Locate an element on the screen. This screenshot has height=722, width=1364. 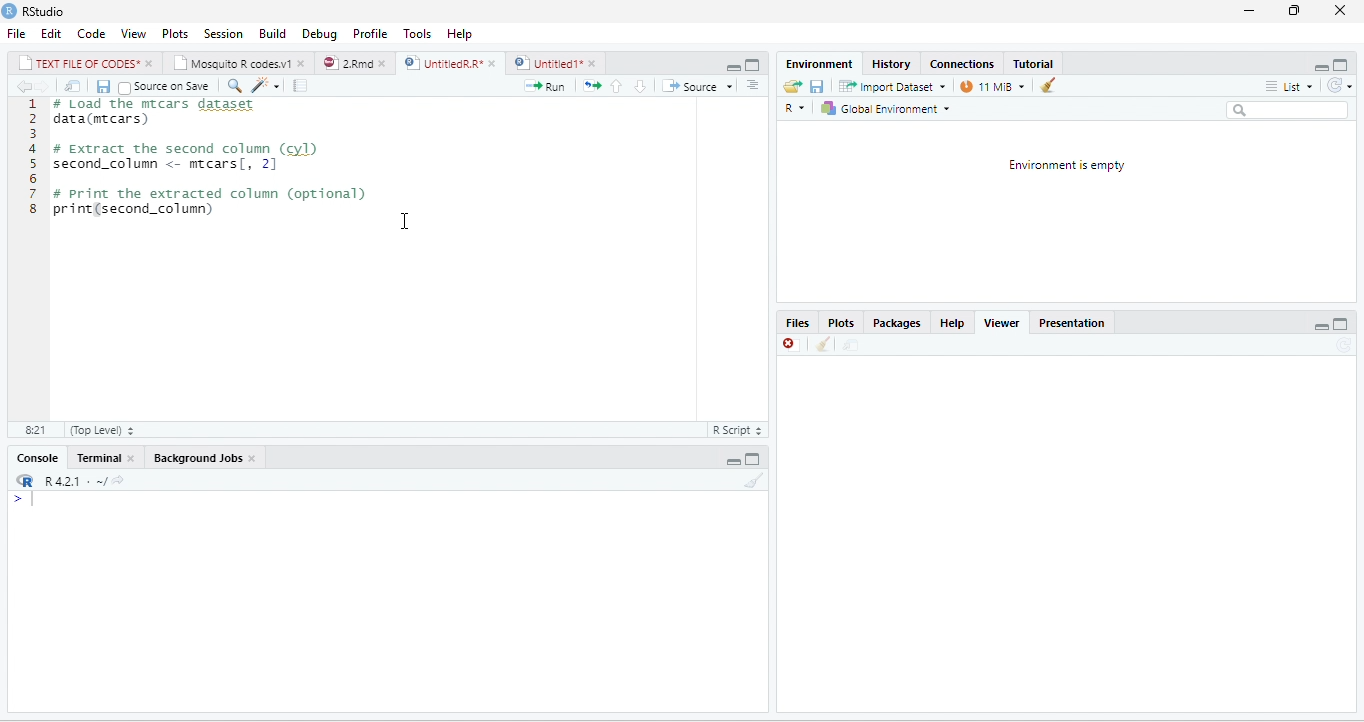
Viewer is located at coordinates (1007, 323).